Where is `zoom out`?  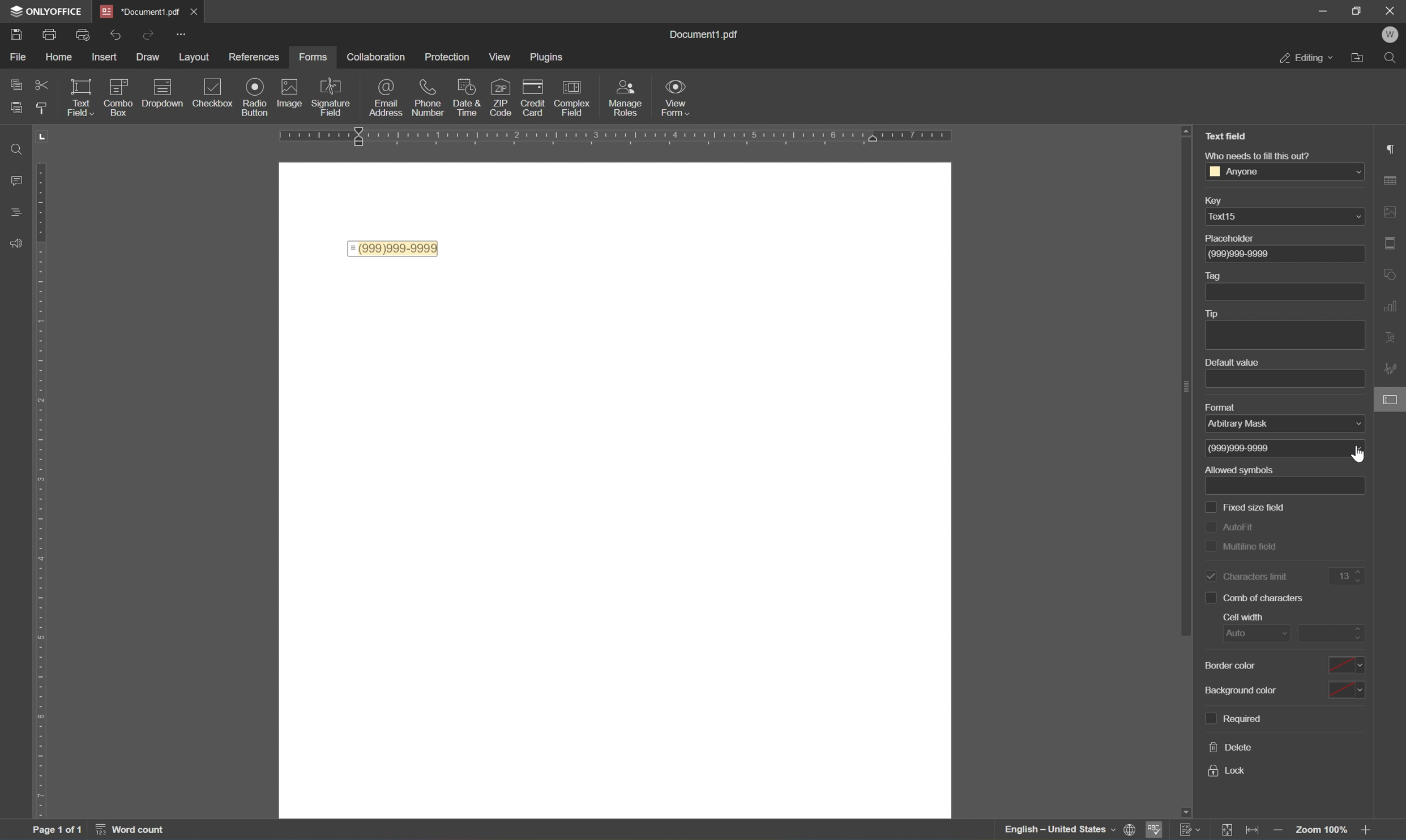
zoom out is located at coordinates (1280, 832).